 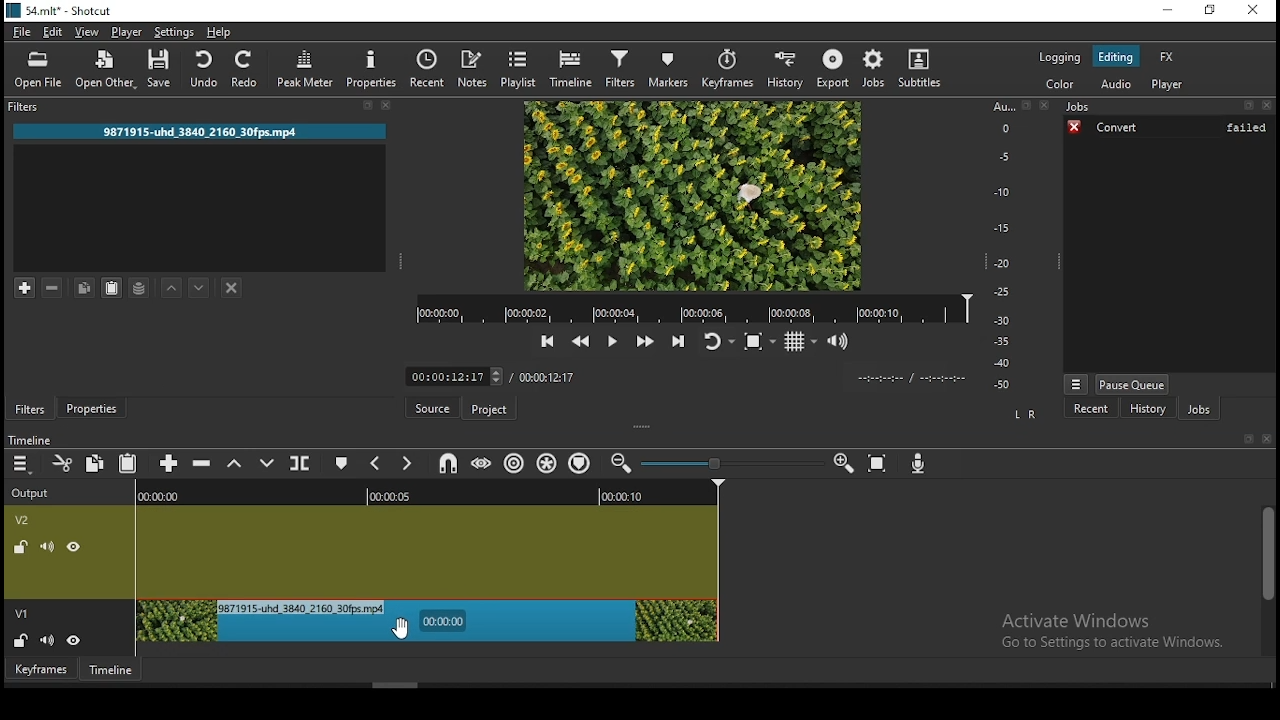 What do you see at coordinates (450, 463) in the screenshot?
I see `snap` at bounding box center [450, 463].